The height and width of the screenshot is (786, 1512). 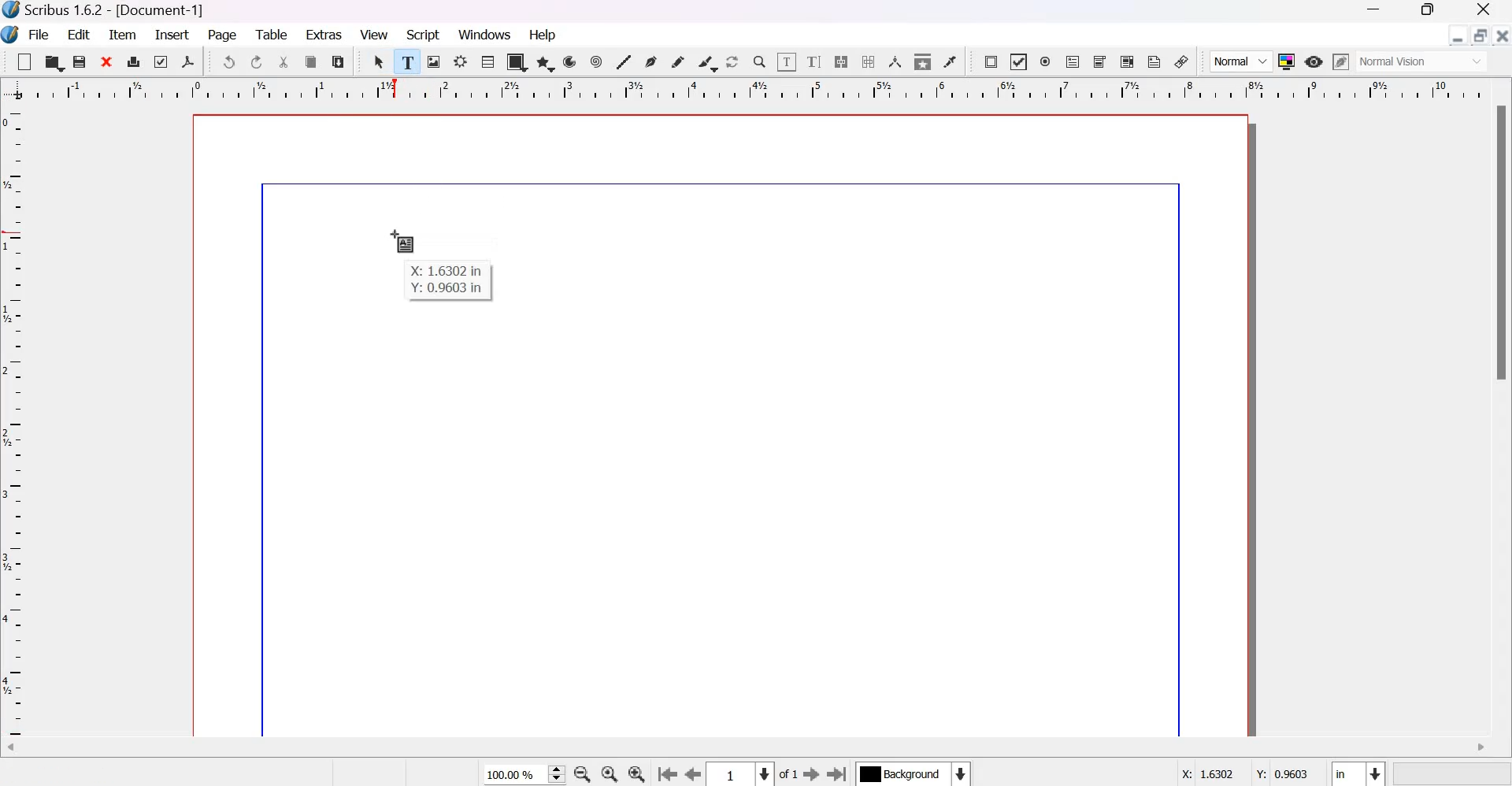 I want to click on copy, so click(x=312, y=62).